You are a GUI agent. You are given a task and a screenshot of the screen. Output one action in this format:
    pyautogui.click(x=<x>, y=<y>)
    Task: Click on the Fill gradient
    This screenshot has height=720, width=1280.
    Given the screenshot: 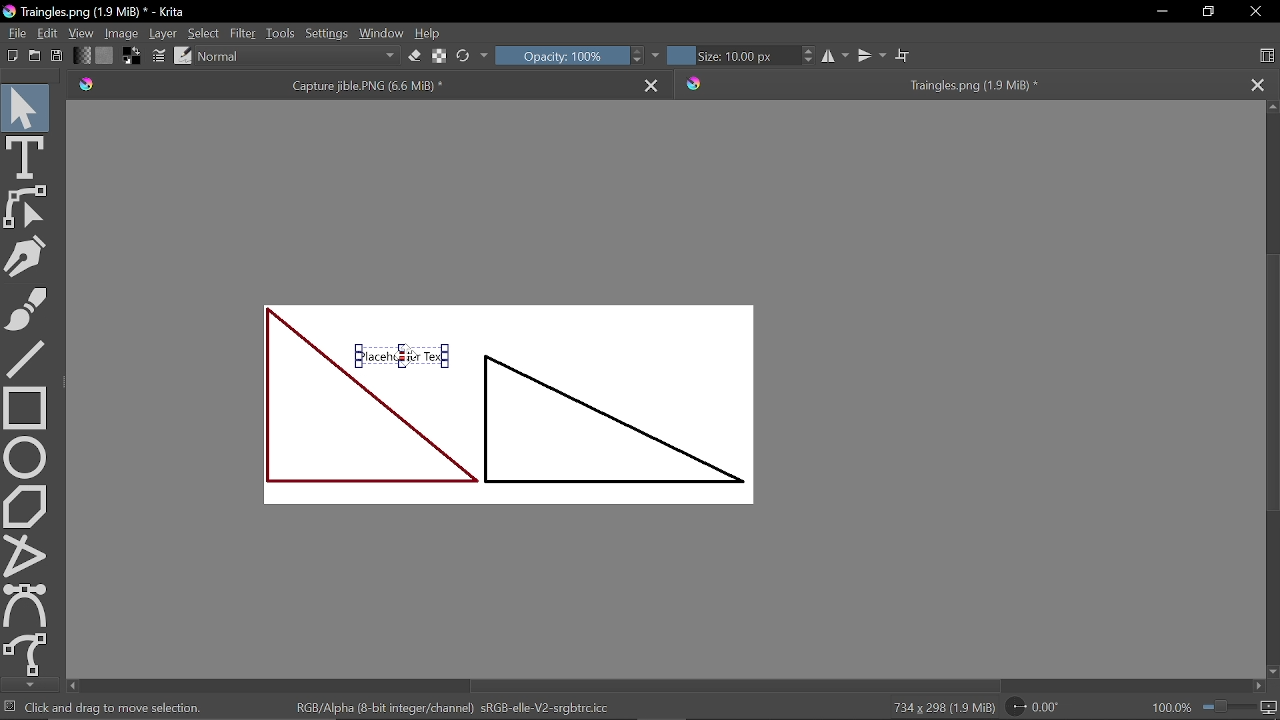 What is the action you would take?
    pyautogui.click(x=83, y=56)
    